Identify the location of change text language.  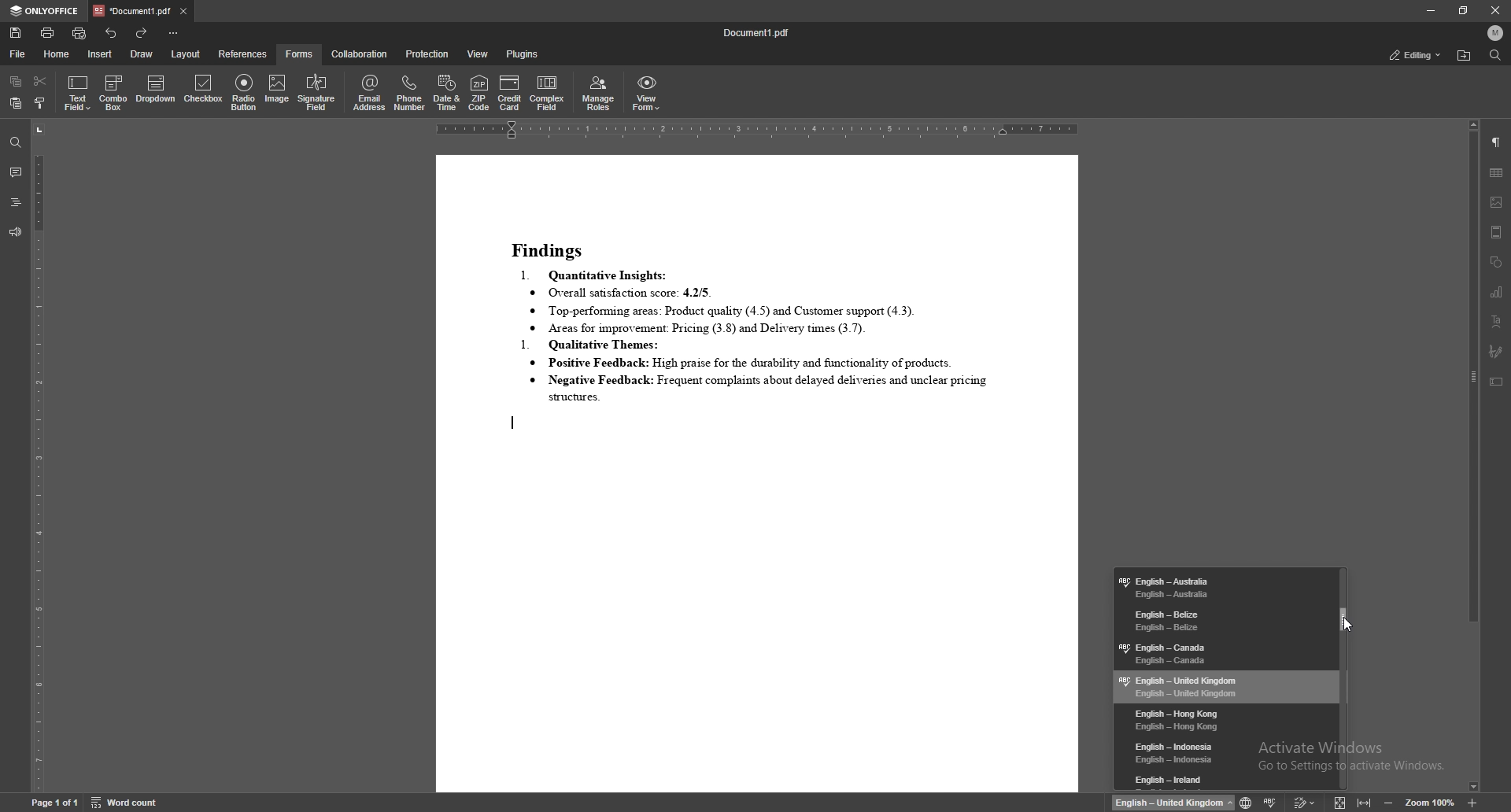
(1173, 803).